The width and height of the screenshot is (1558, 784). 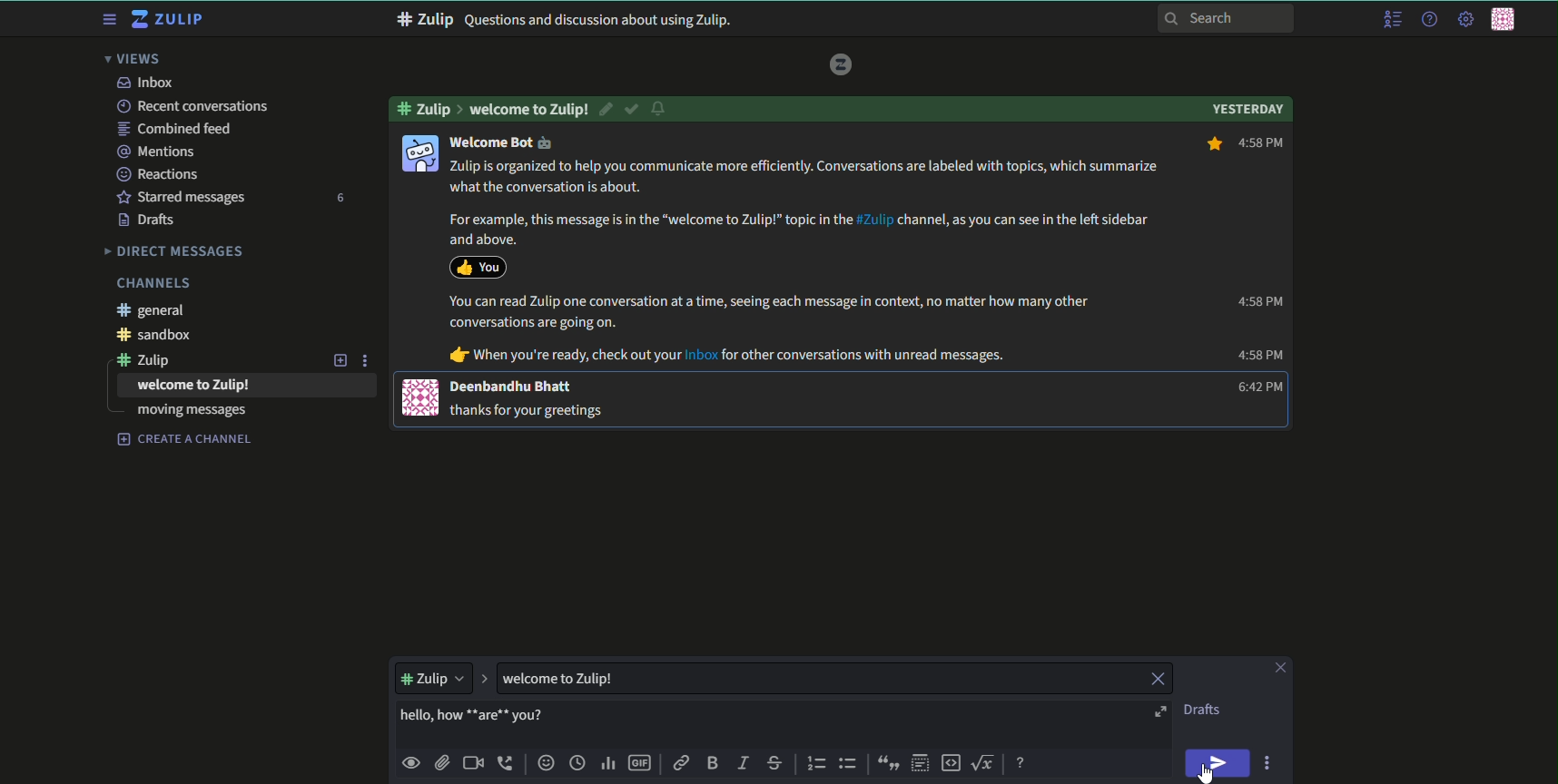 I want to click on poll, so click(x=610, y=765).